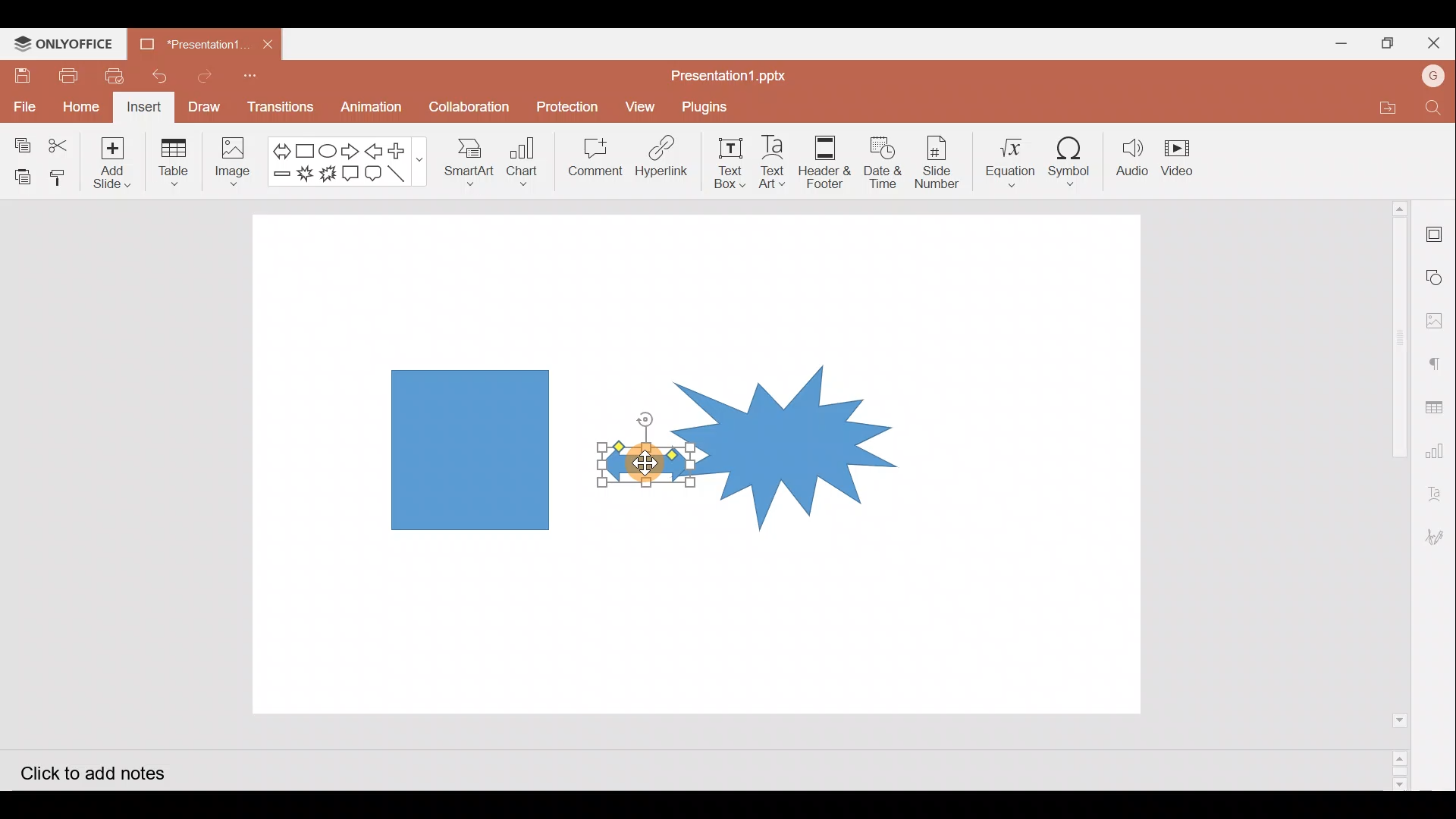 The height and width of the screenshot is (819, 1456). Describe the element at coordinates (21, 75) in the screenshot. I see `Save` at that location.